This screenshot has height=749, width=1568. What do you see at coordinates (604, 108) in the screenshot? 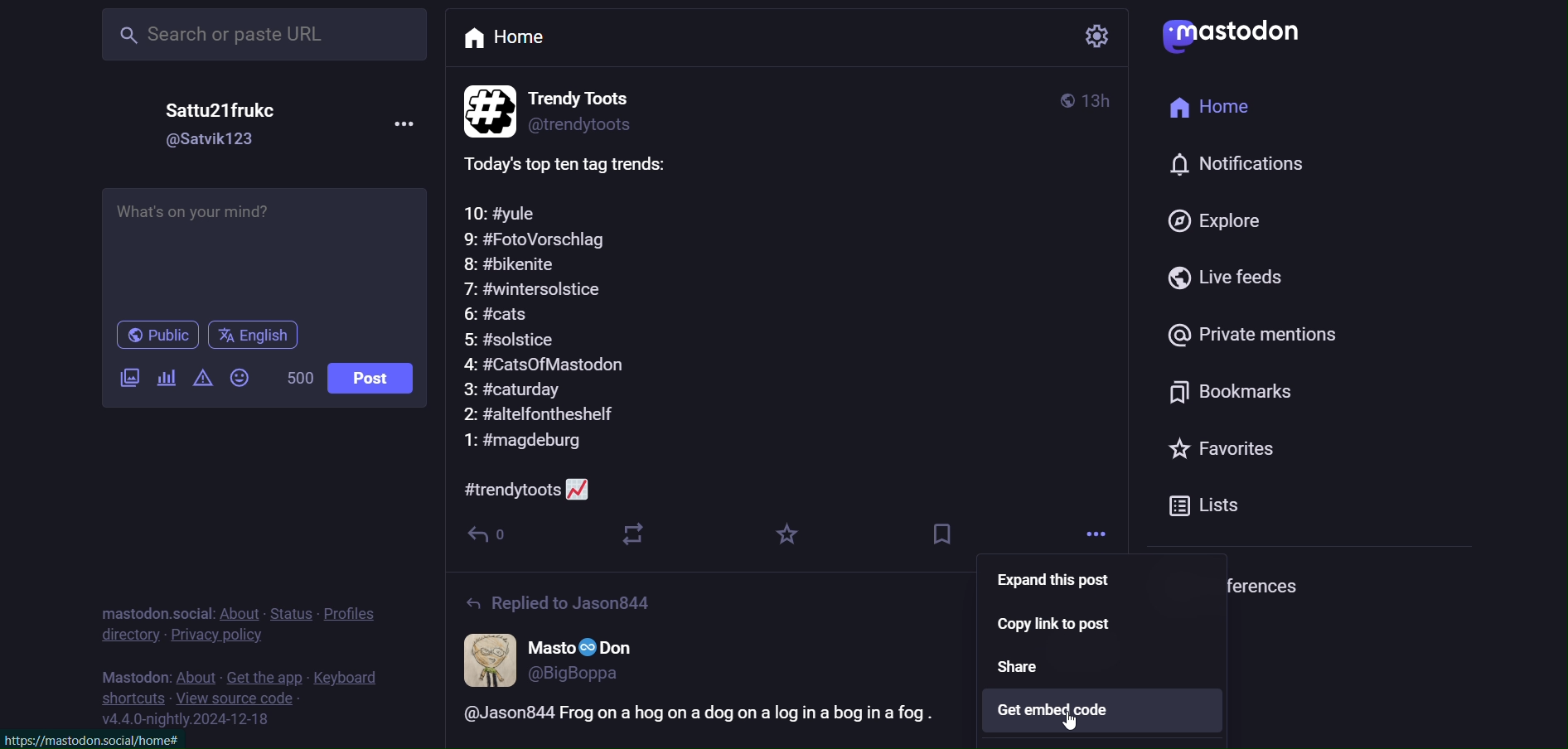
I see `user information` at bounding box center [604, 108].